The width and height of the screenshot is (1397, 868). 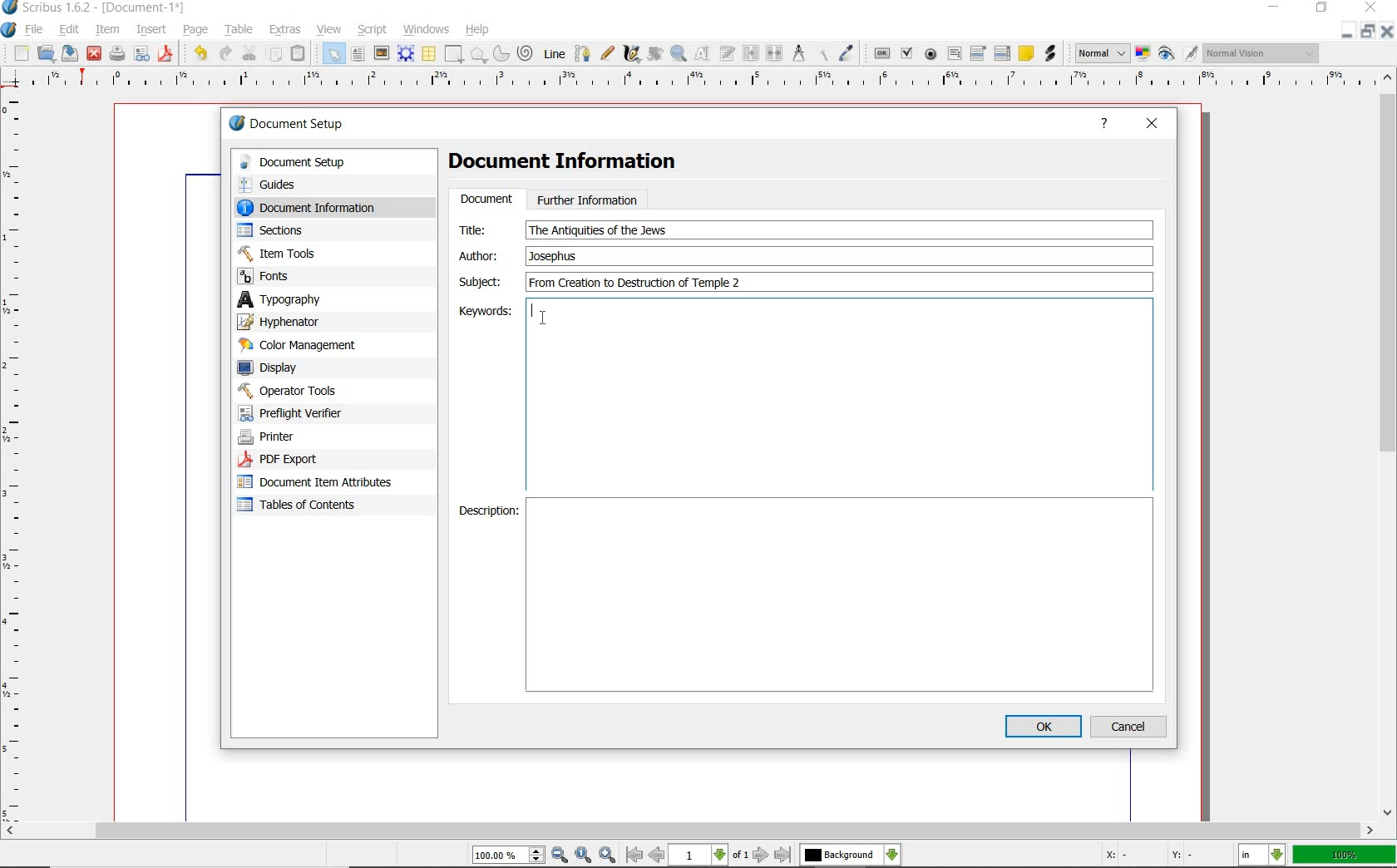 What do you see at coordinates (1143, 53) in the screenshot?
I see `toggle color management` at bounding box center [1143, 53].